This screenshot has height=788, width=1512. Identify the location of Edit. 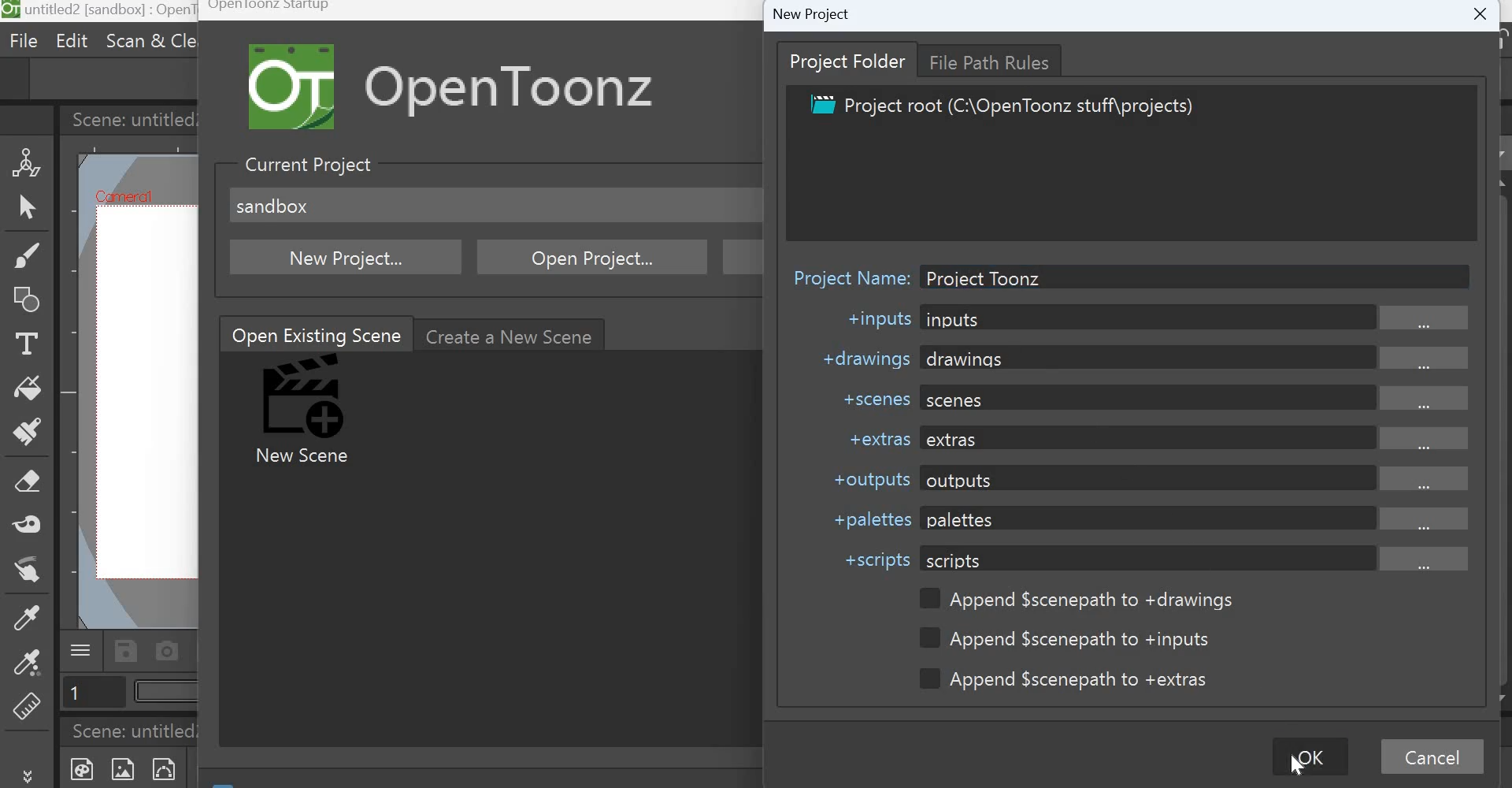
(69, 40).